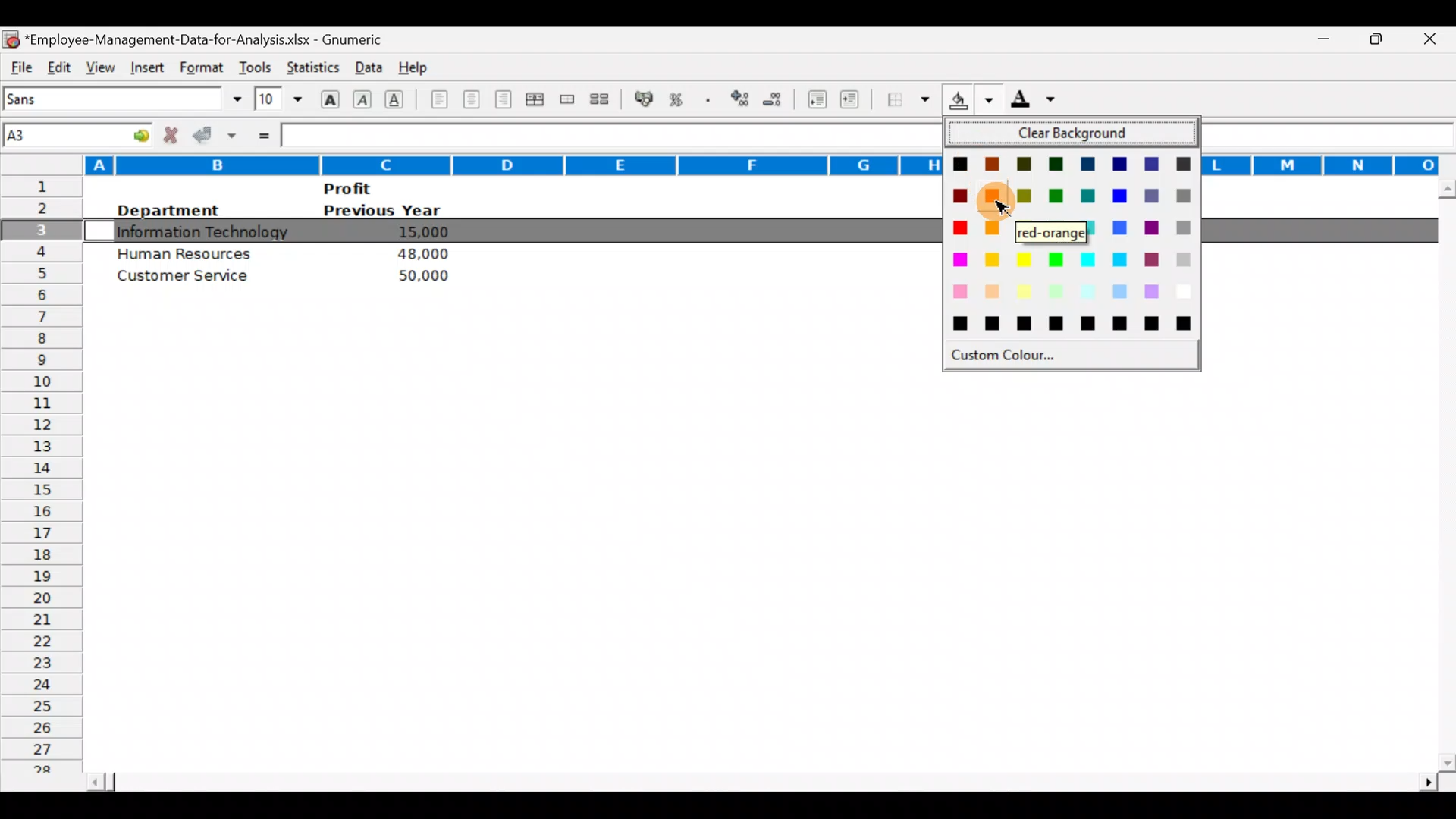 This screenshot has width=1456, height=819. Describe the element at coordinates (995, 199) in the screenshot. I see `Cursor on red-orange color` at that location.